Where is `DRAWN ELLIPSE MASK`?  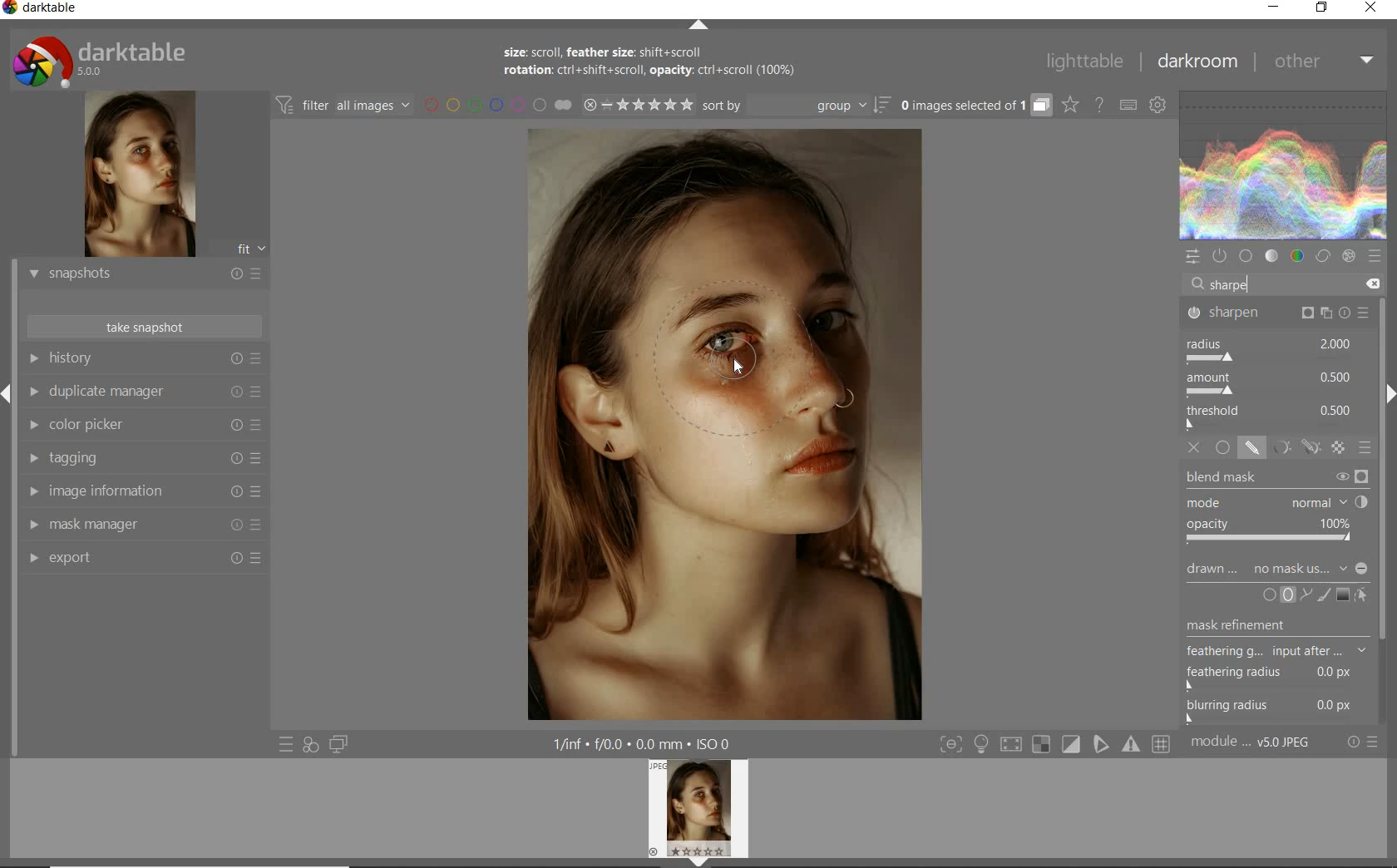 DRAWN ELLIPSE MASK is located at coordinates (740, 359).